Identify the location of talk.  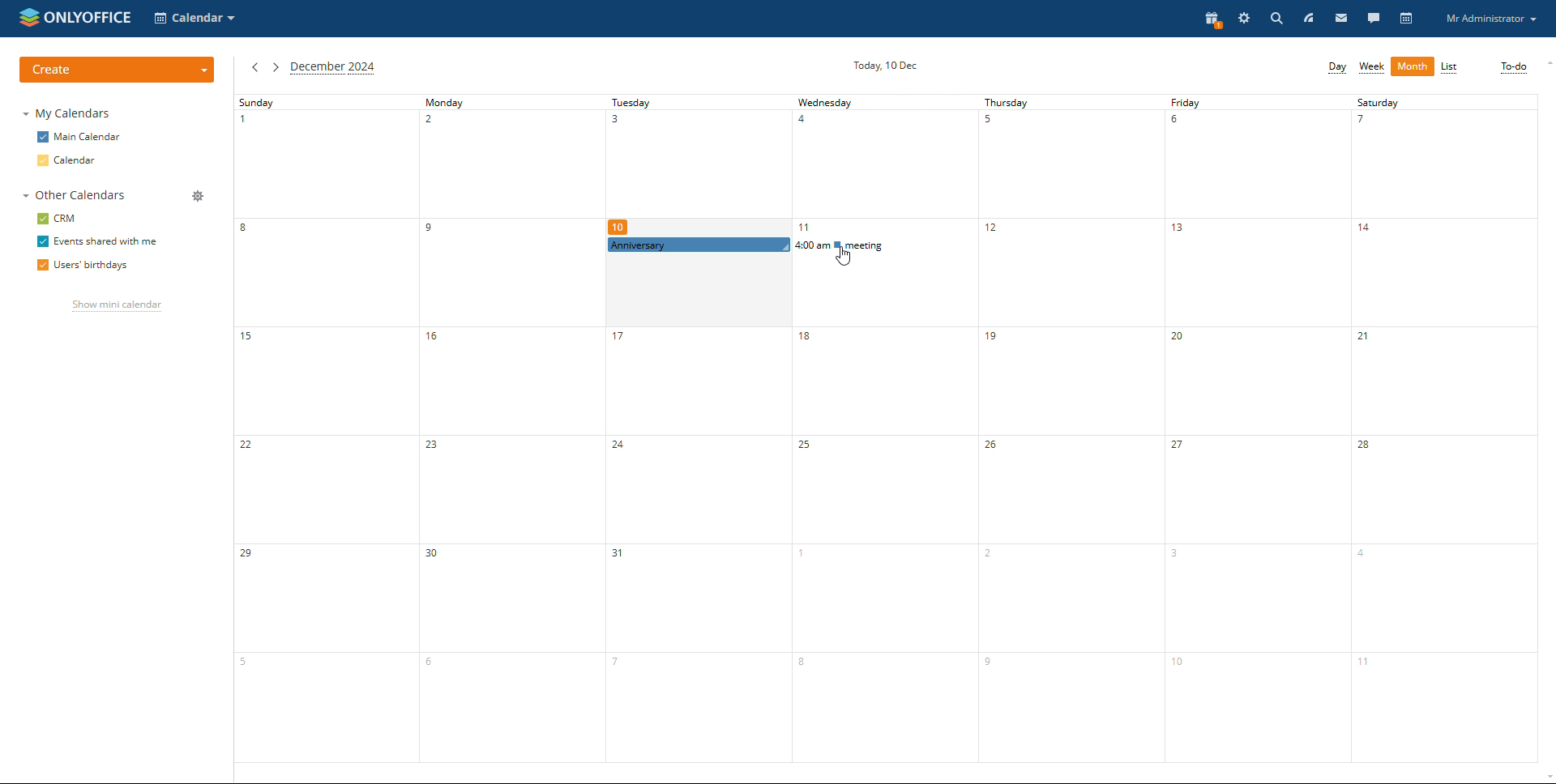
(1372, 19).